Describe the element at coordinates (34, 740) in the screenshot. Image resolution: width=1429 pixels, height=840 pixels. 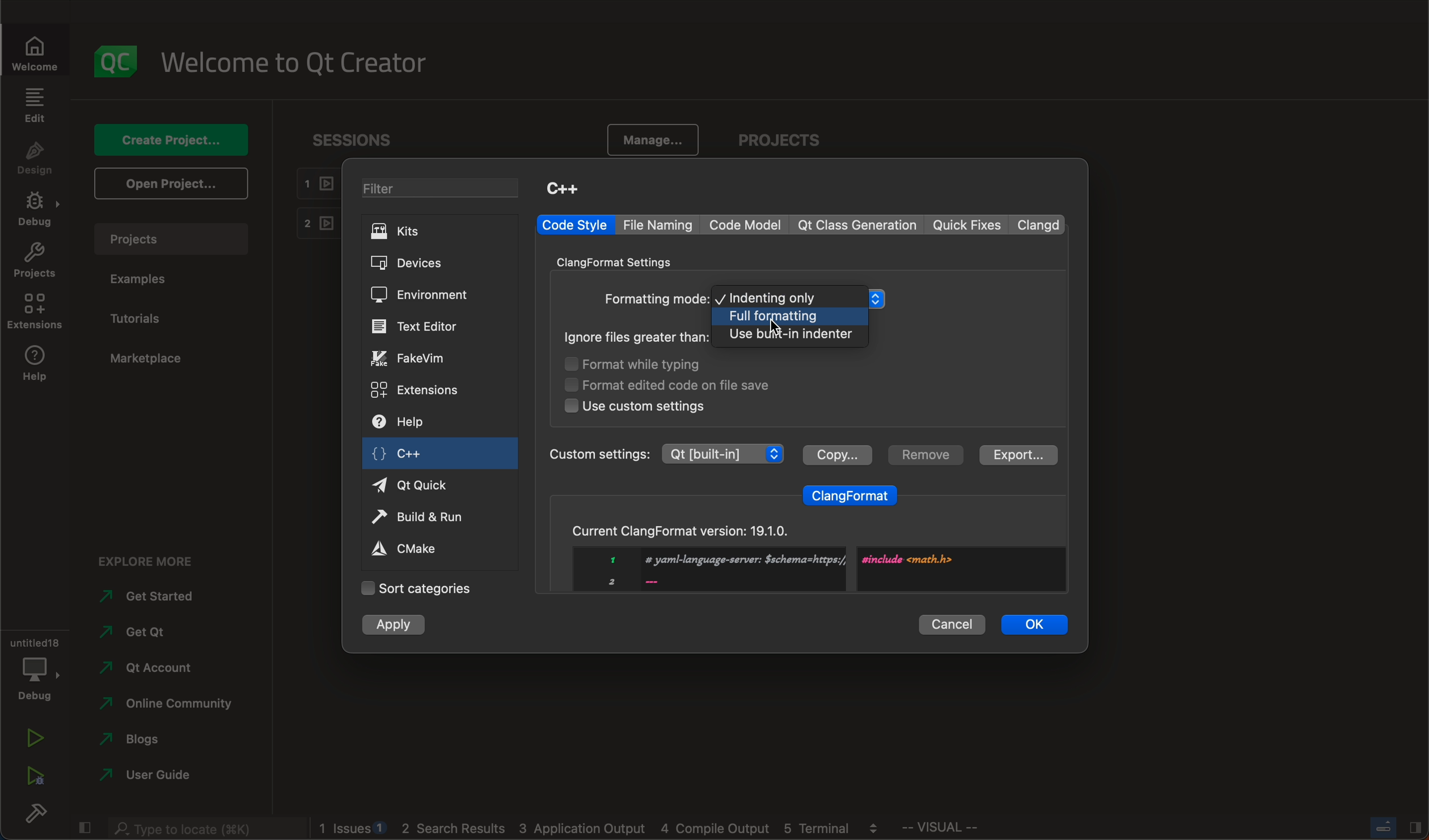
I see `run` at that location.